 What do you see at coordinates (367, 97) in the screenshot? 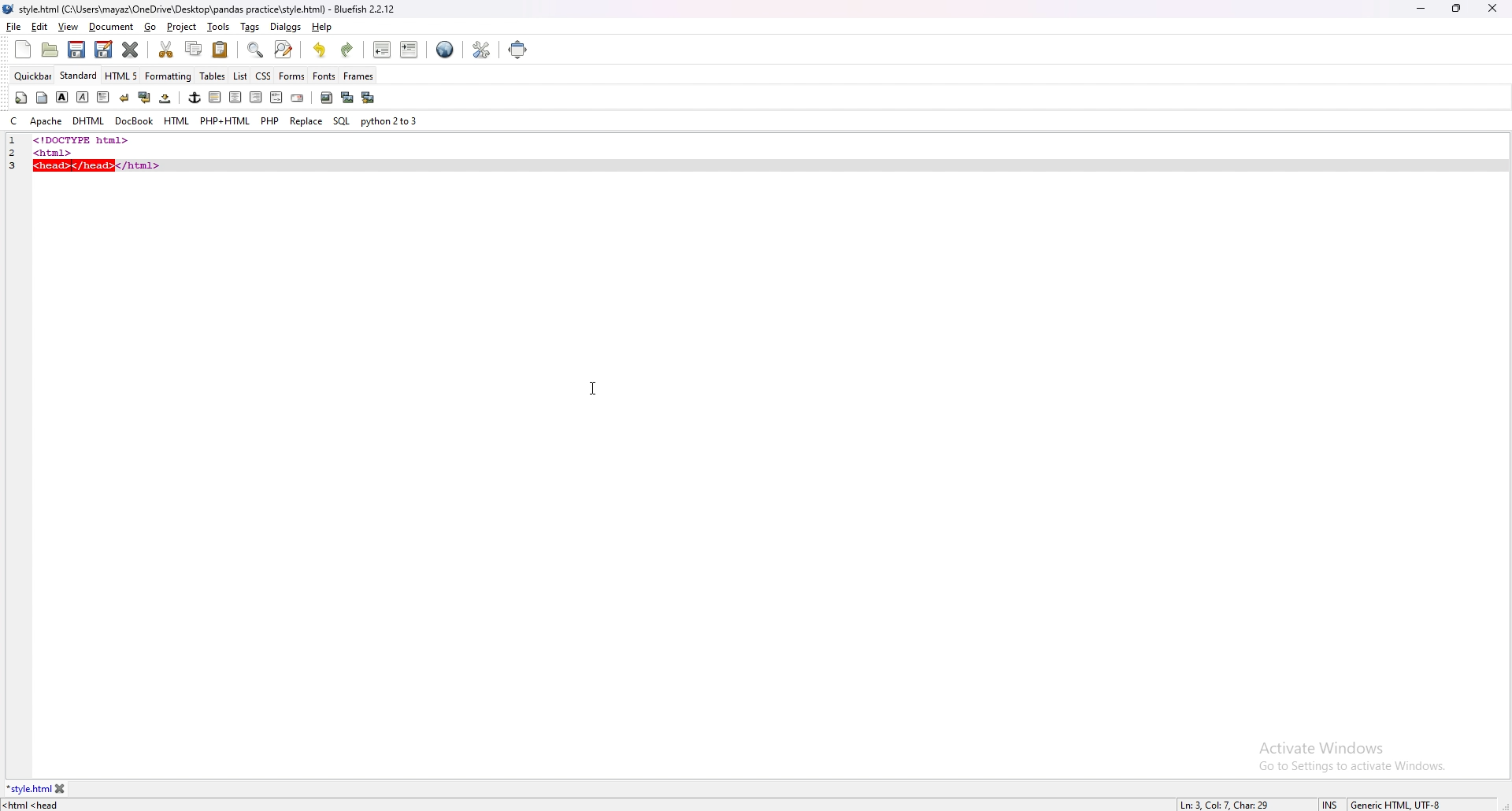
I see `multi thumbnail` at bounding box center [367, 97].